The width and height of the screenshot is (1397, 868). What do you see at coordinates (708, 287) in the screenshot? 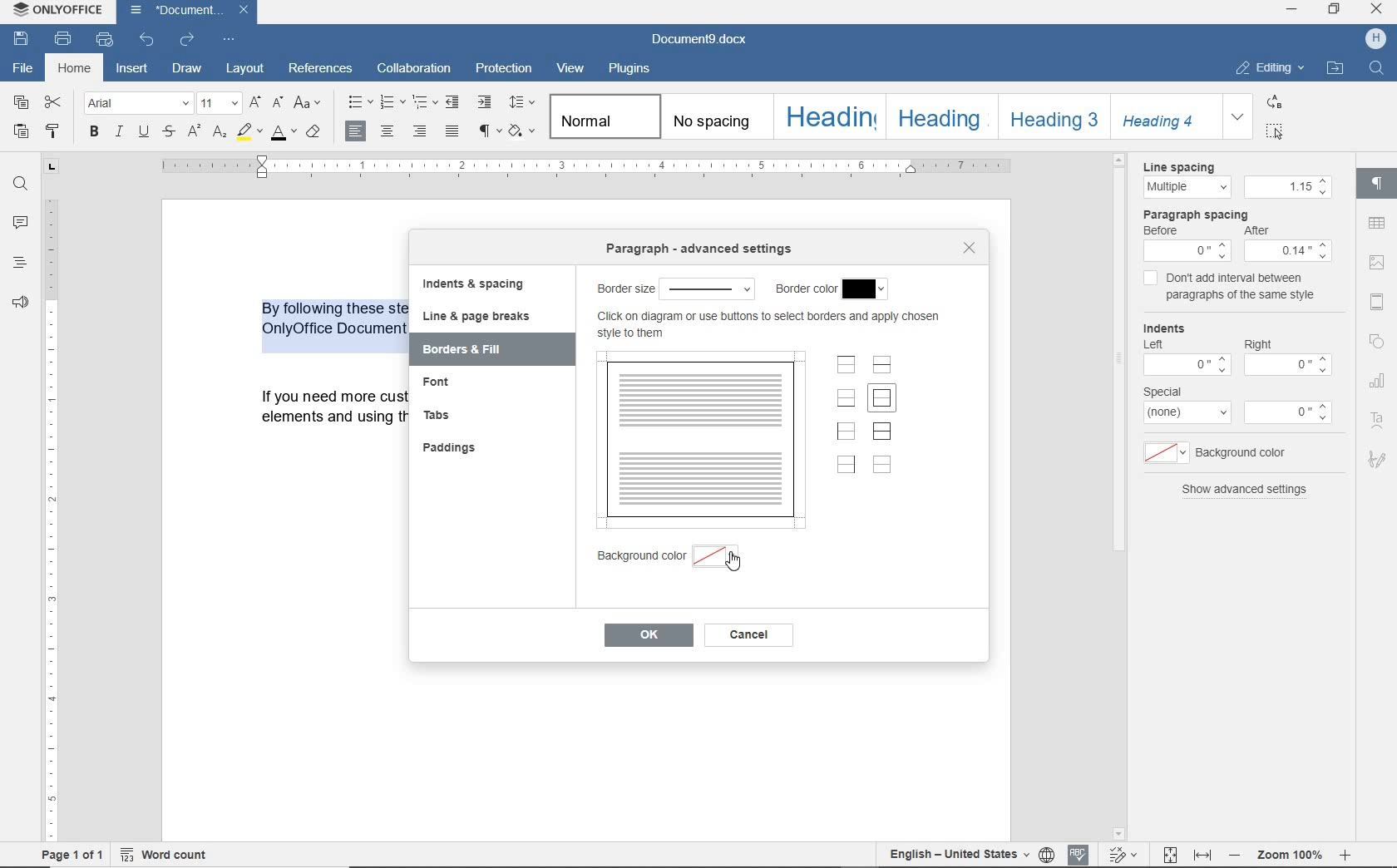
I see `select` at bounding box center [708, 287].